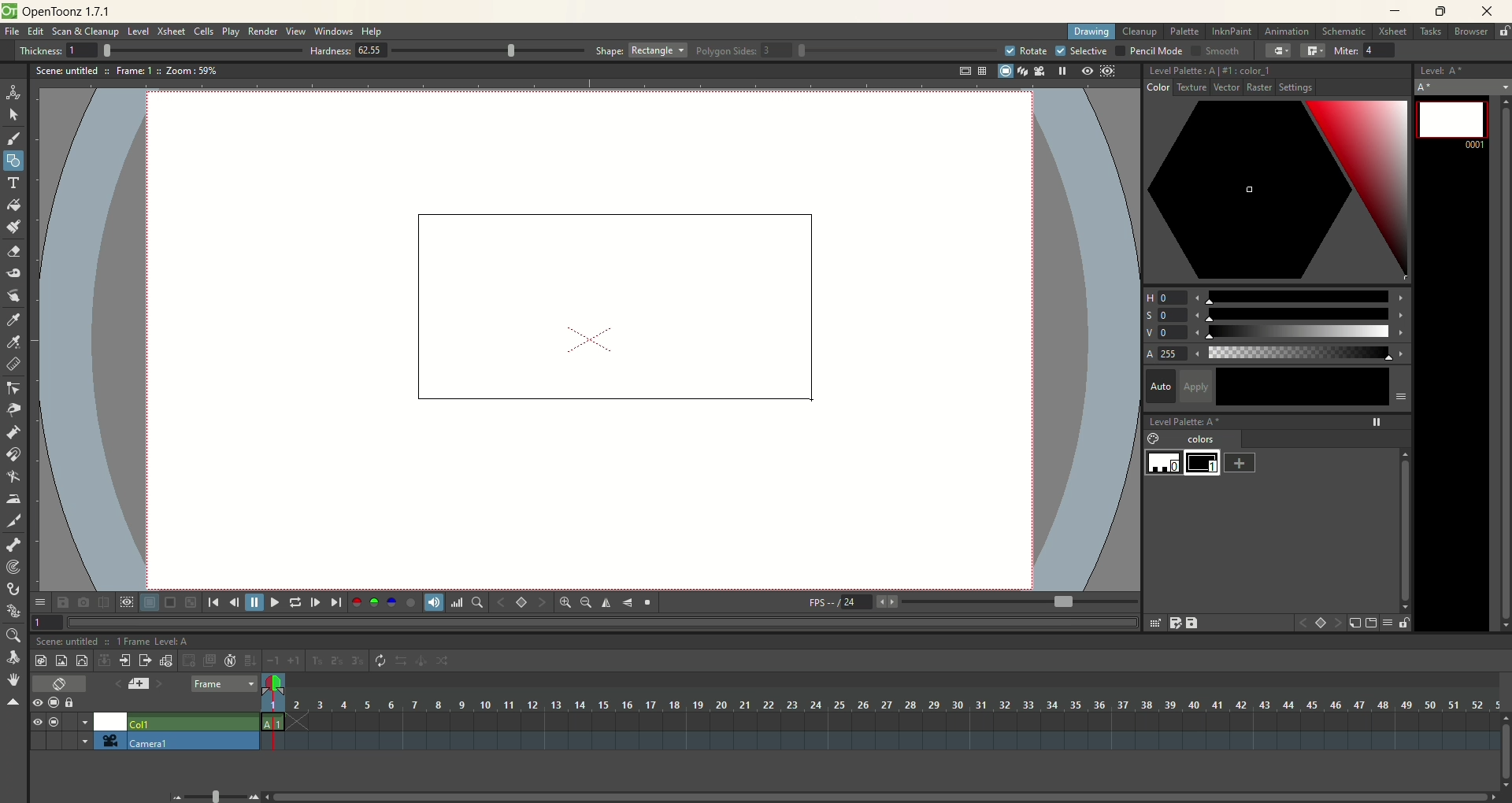 This screenshot has height=803, width=1512. I want to click on selection tool, so click(13, 114).